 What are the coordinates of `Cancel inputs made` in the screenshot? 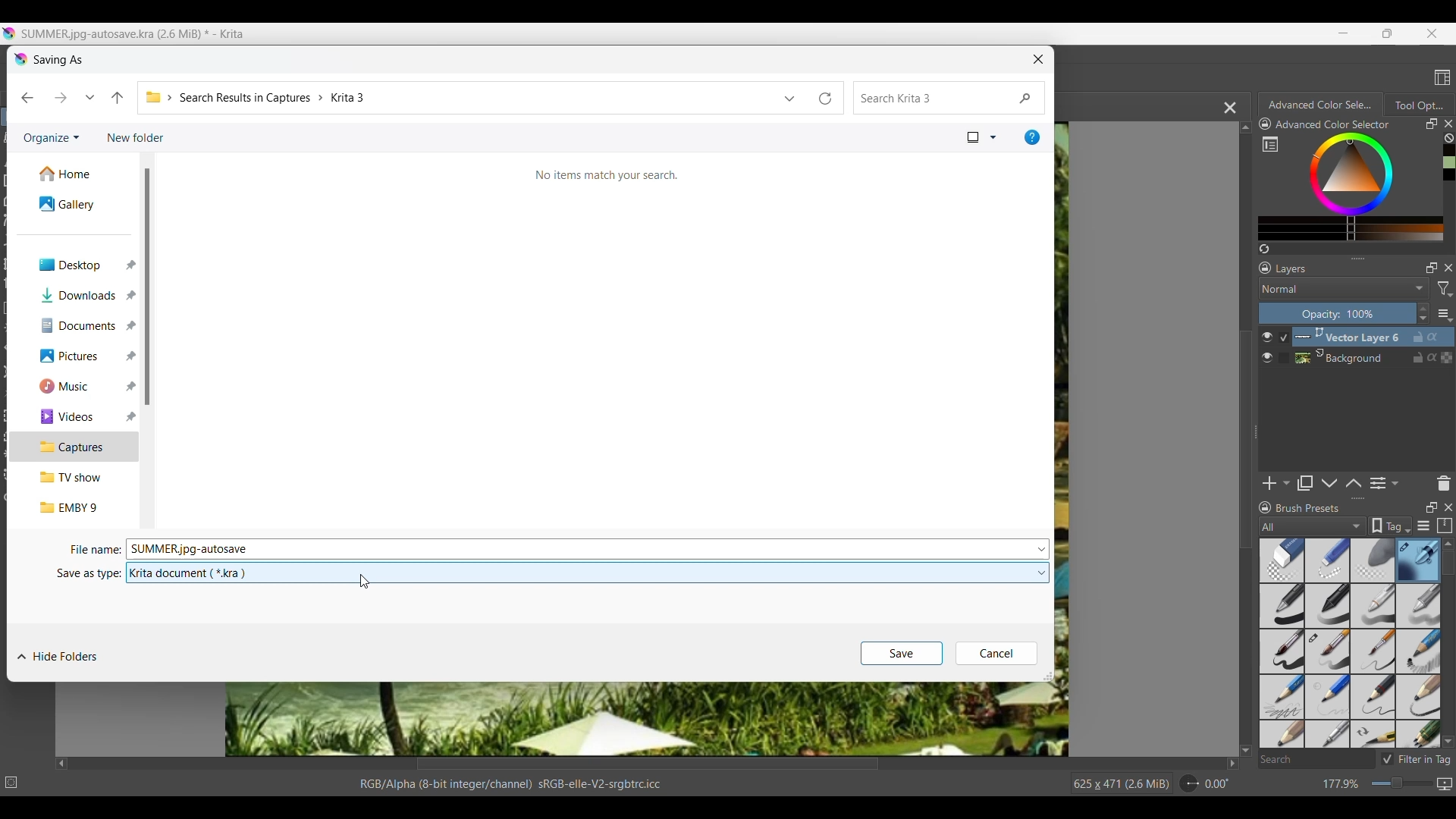 It's located at (996, 654).